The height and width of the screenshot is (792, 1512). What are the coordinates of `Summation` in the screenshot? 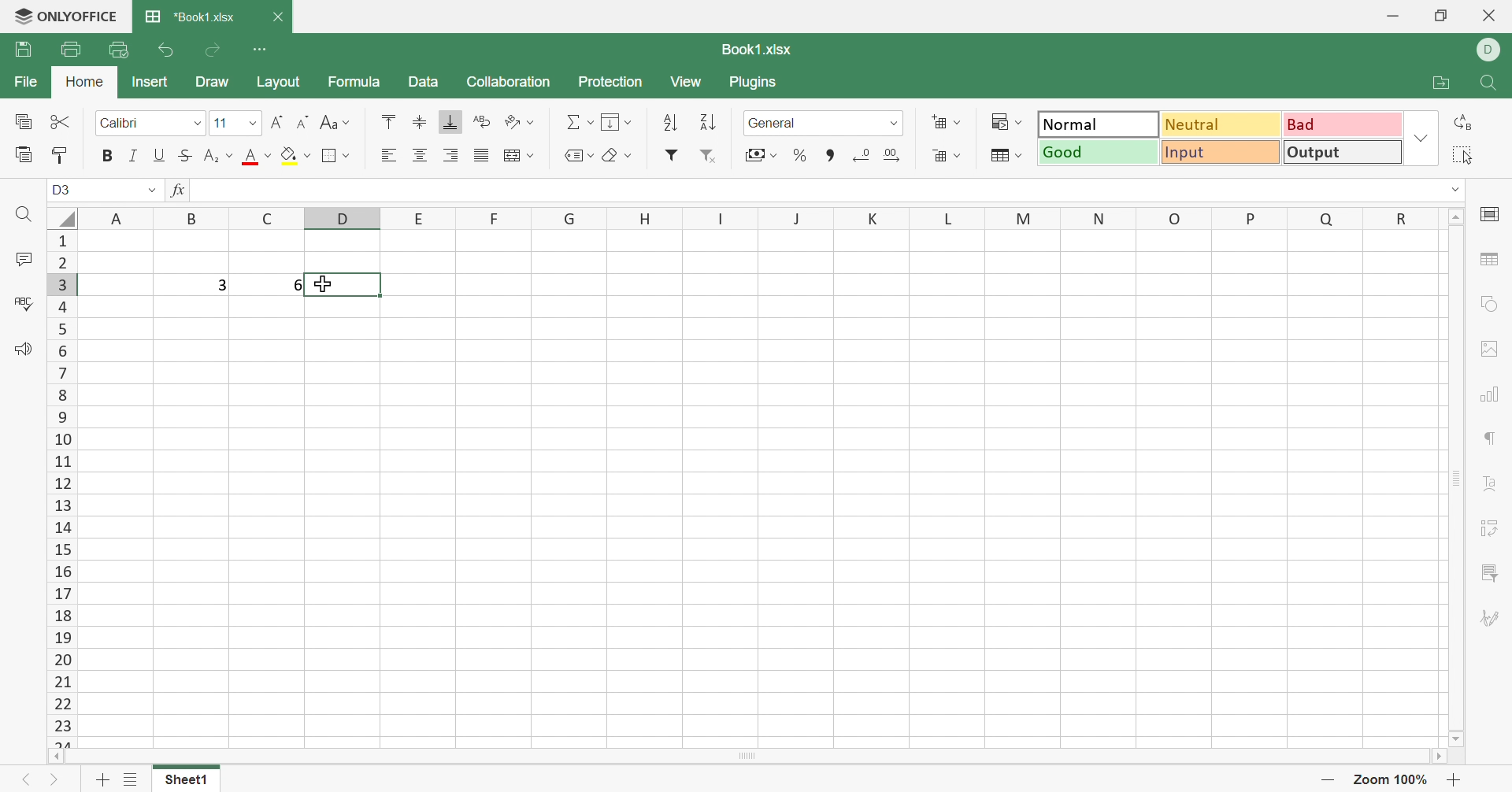 It's located at (579, 121).